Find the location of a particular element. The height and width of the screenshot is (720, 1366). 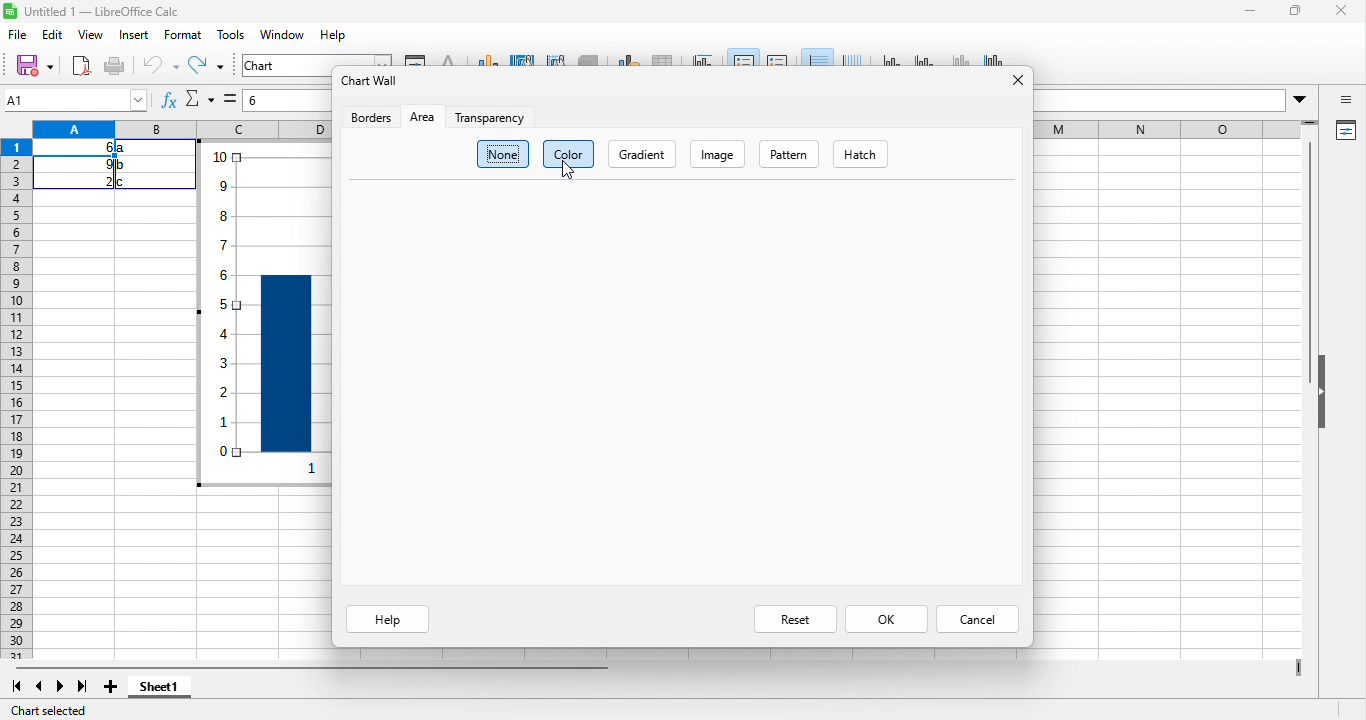

6 is located at coordinates (99, 147).